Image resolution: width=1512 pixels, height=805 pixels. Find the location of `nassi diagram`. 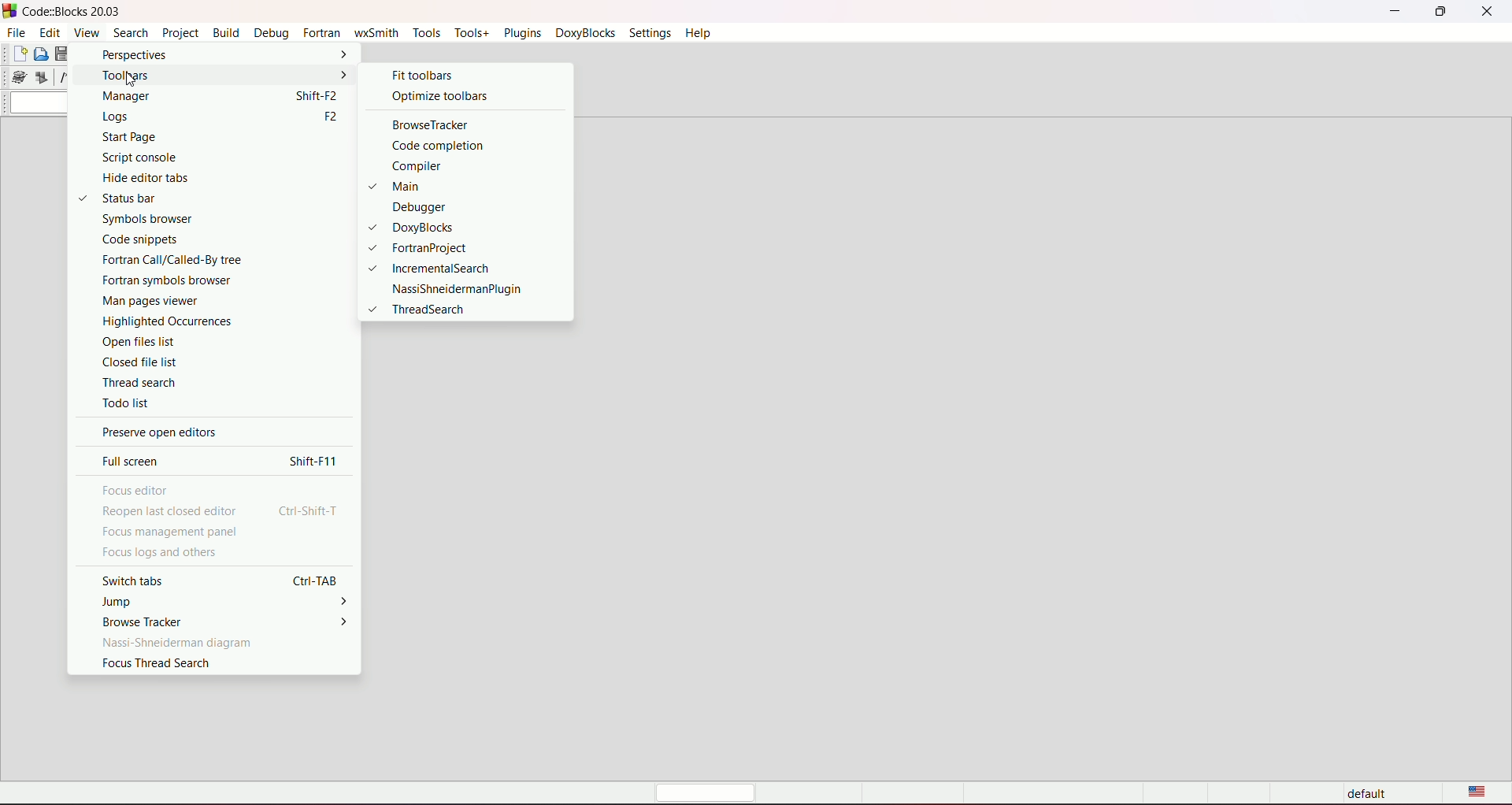

nassi diagram is located at coordinates (180, 642).